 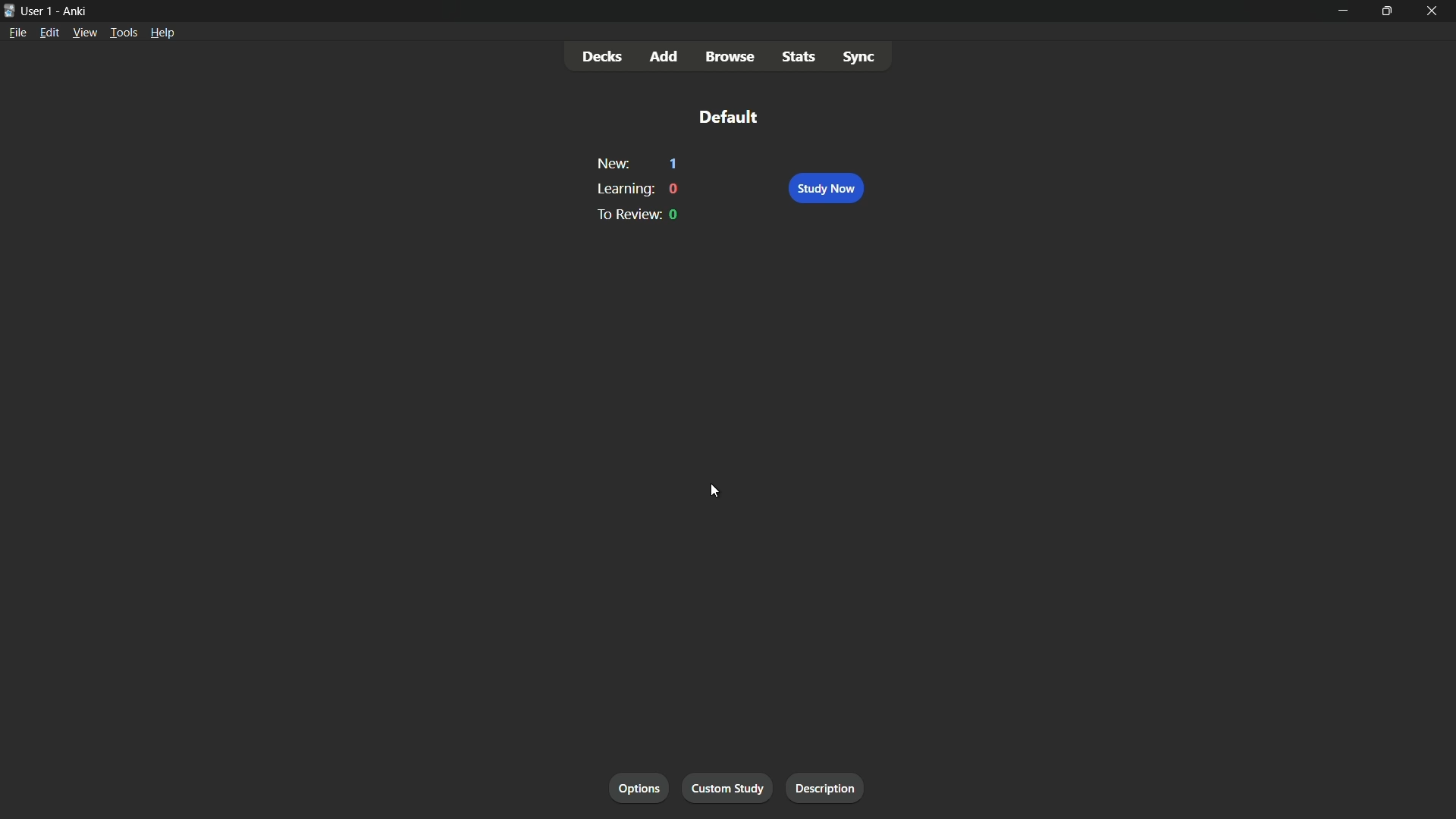 I want to click on to review, so click(x=630, y=214).